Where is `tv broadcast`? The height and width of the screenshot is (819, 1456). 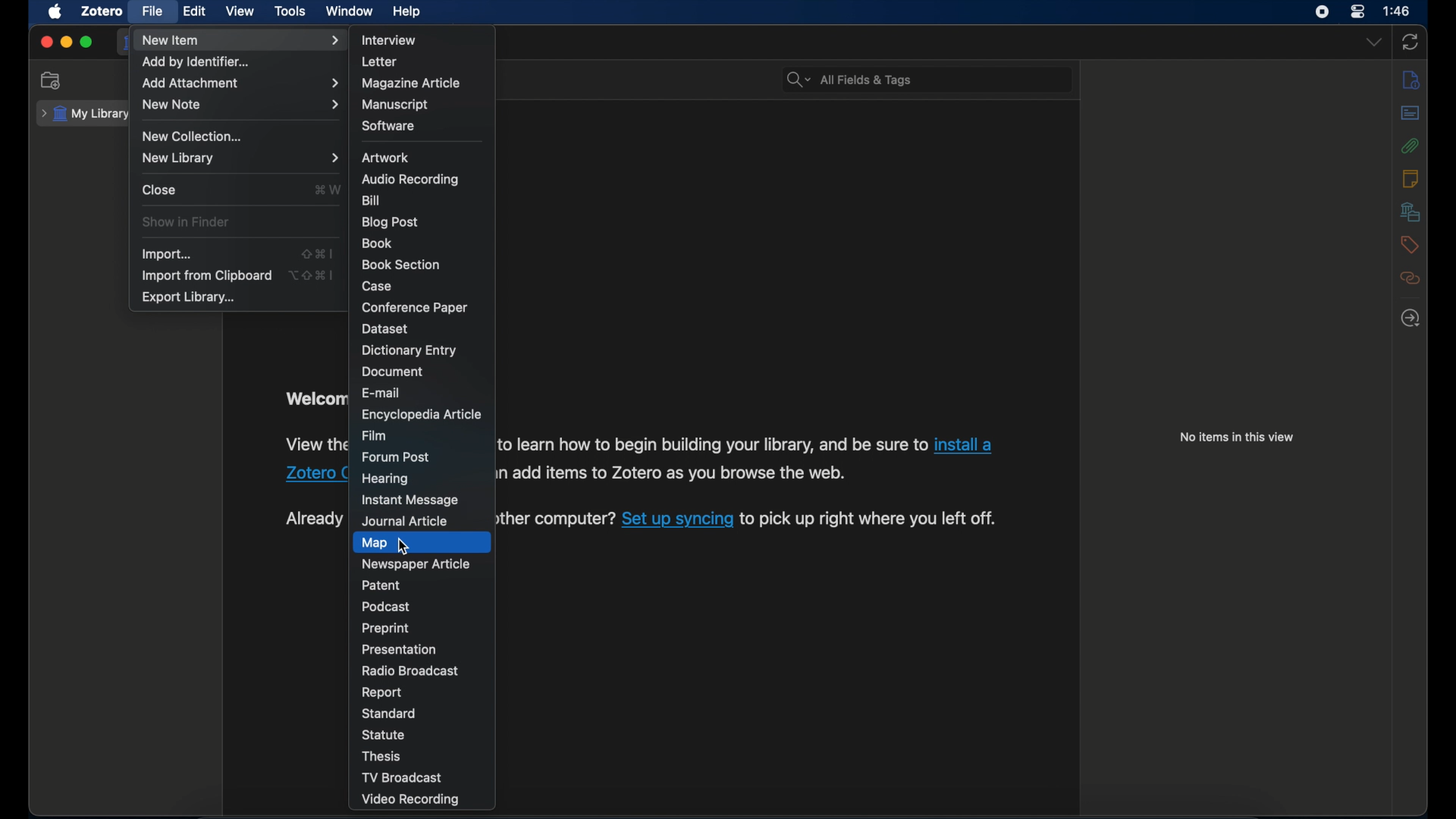 tv broadcast is located at coordinates (401, 777).